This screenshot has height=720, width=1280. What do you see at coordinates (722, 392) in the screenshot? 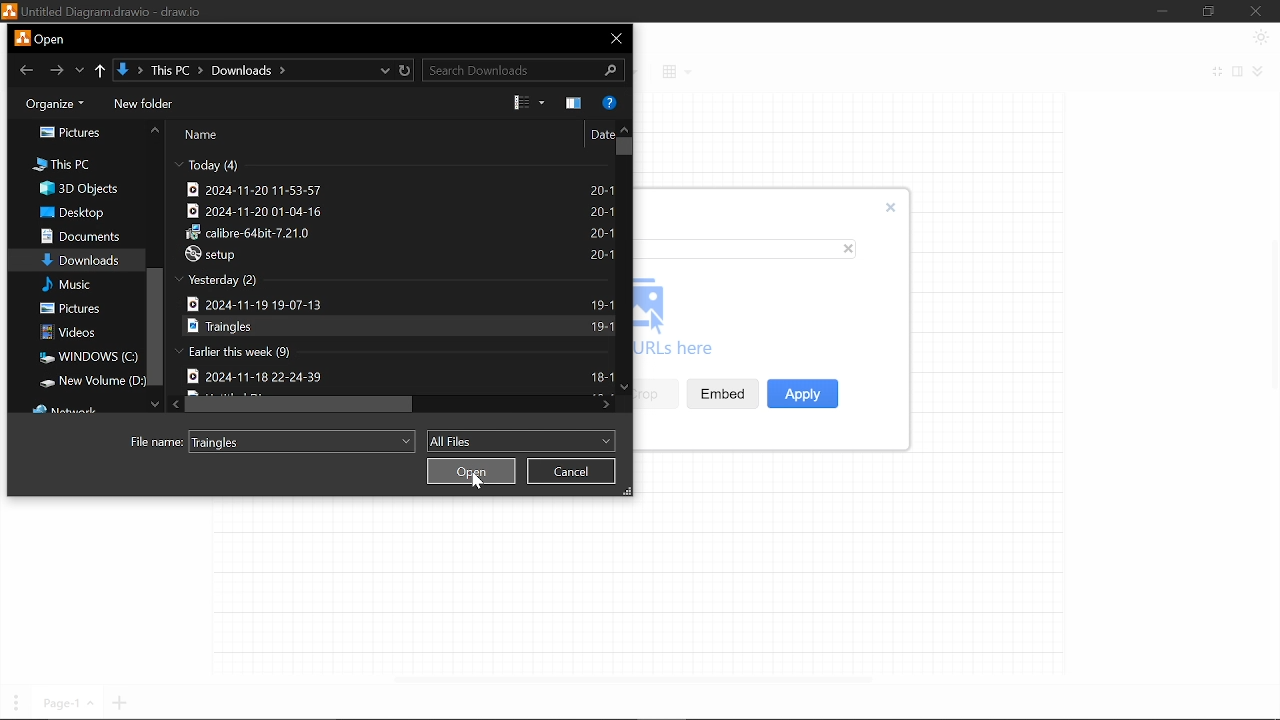
I see `Embed` at bounding box center [722, 392].